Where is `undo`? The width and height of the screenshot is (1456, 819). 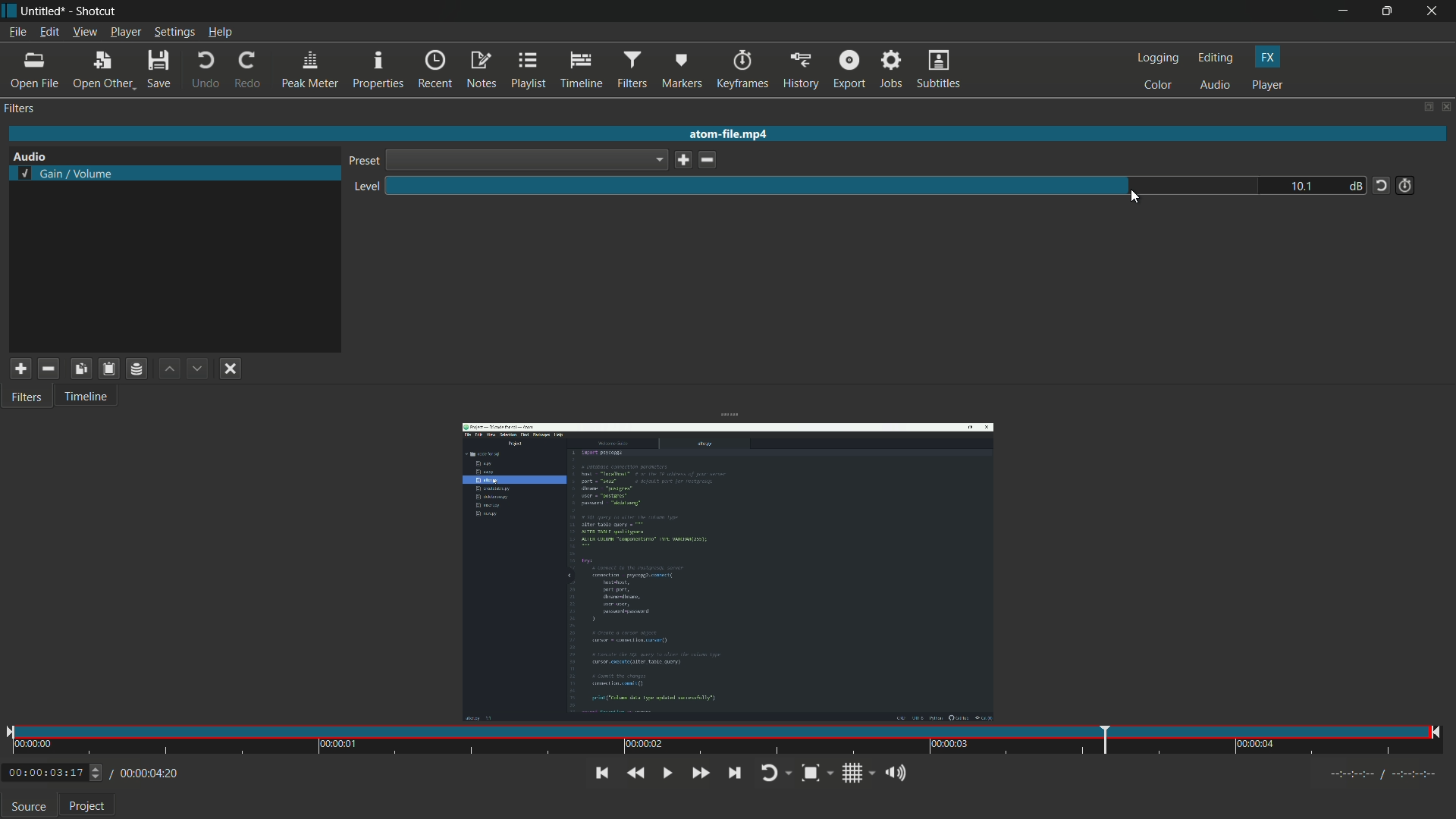
undo is located at coordinates (206, 71).